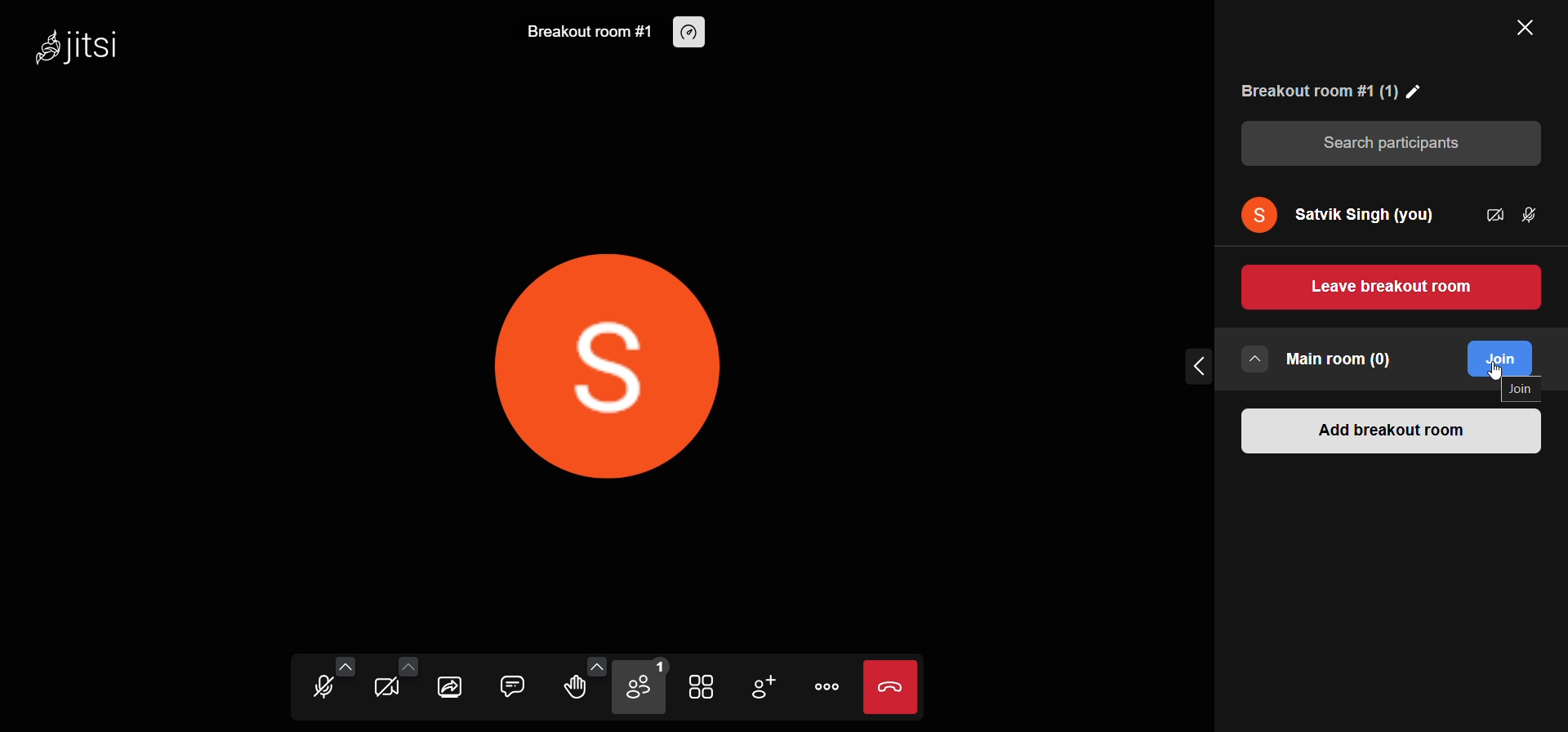 The height and width of the screenshot is (732, 1568). Describe the element at coordinates (691, 33) in the screenshot. I see `performance setting` at that location.